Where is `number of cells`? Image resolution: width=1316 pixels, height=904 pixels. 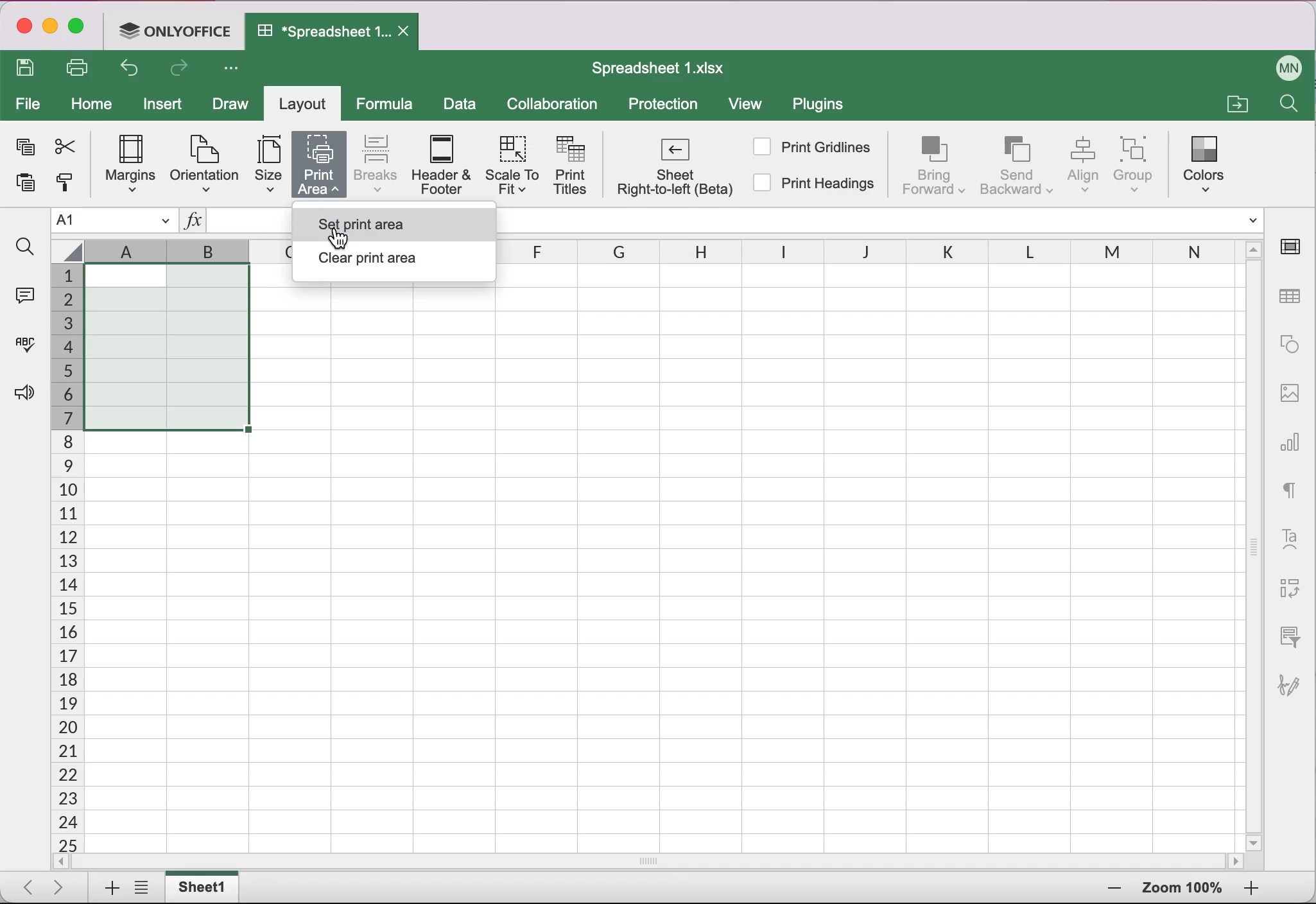
number of cells is located at coordinates (65, 559).